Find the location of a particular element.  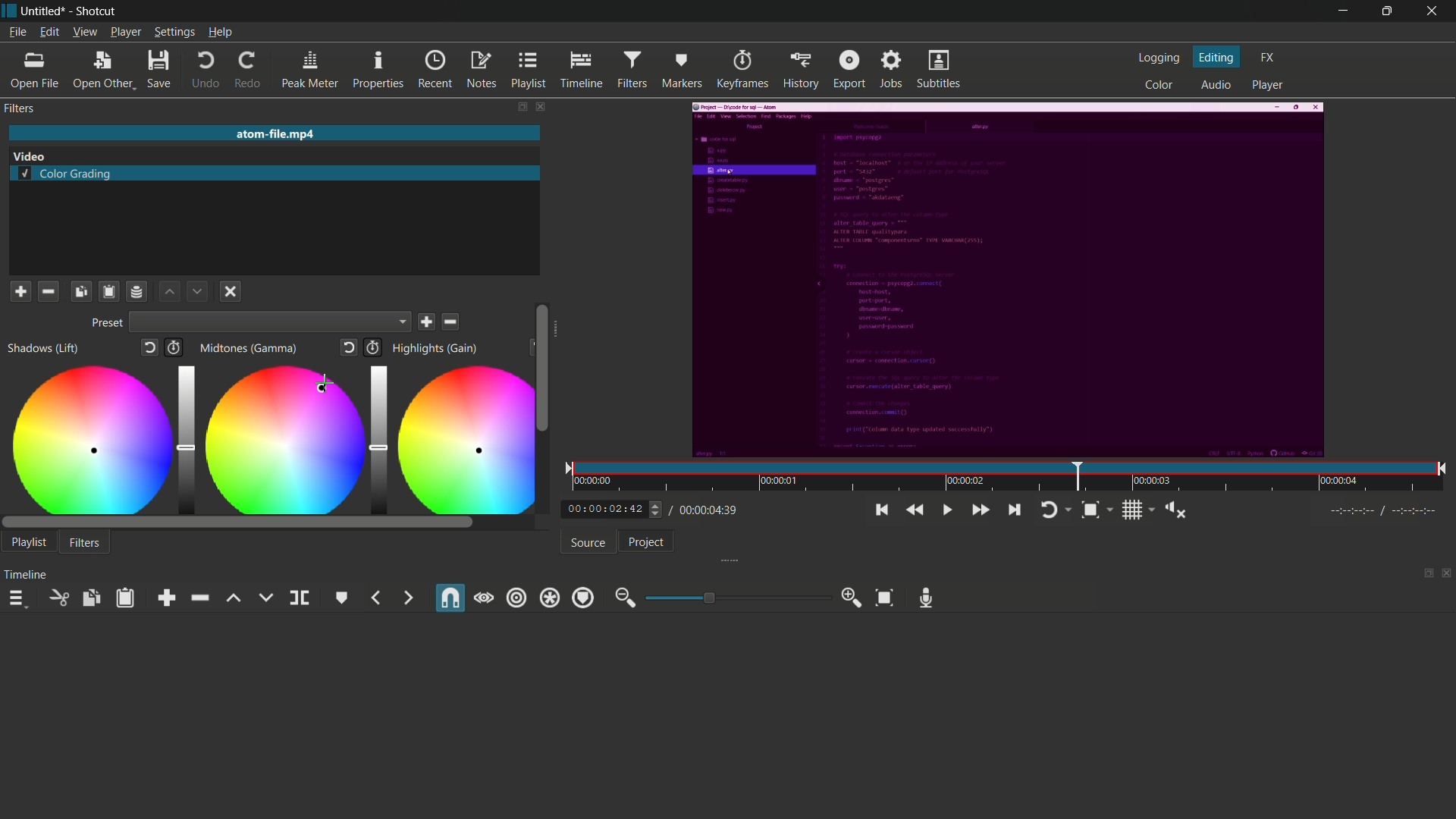

zoom timeline to fit is located at coordinates (884, 598).